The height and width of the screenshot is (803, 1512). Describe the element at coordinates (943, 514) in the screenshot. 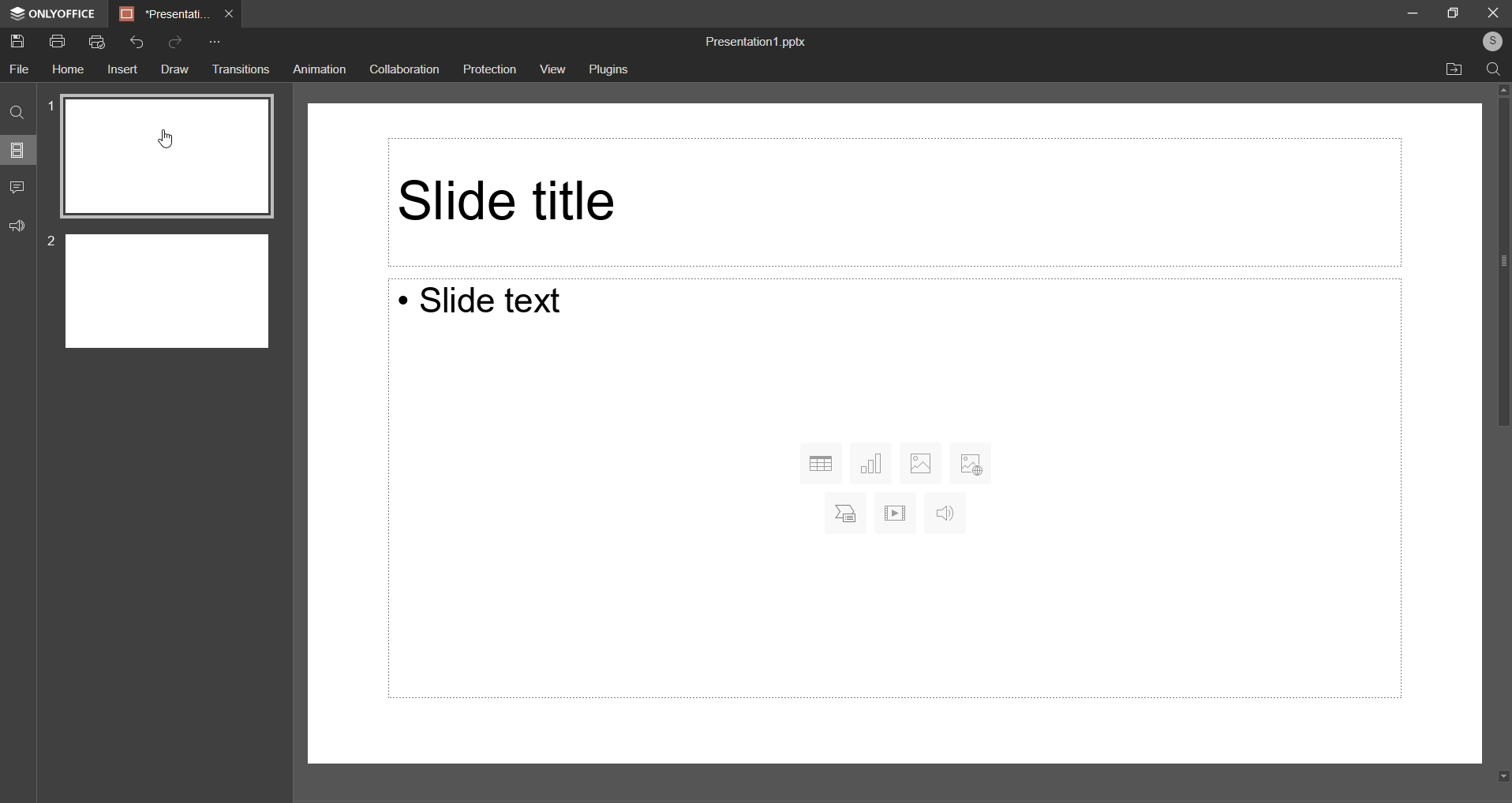

I see `Audio` at that location.